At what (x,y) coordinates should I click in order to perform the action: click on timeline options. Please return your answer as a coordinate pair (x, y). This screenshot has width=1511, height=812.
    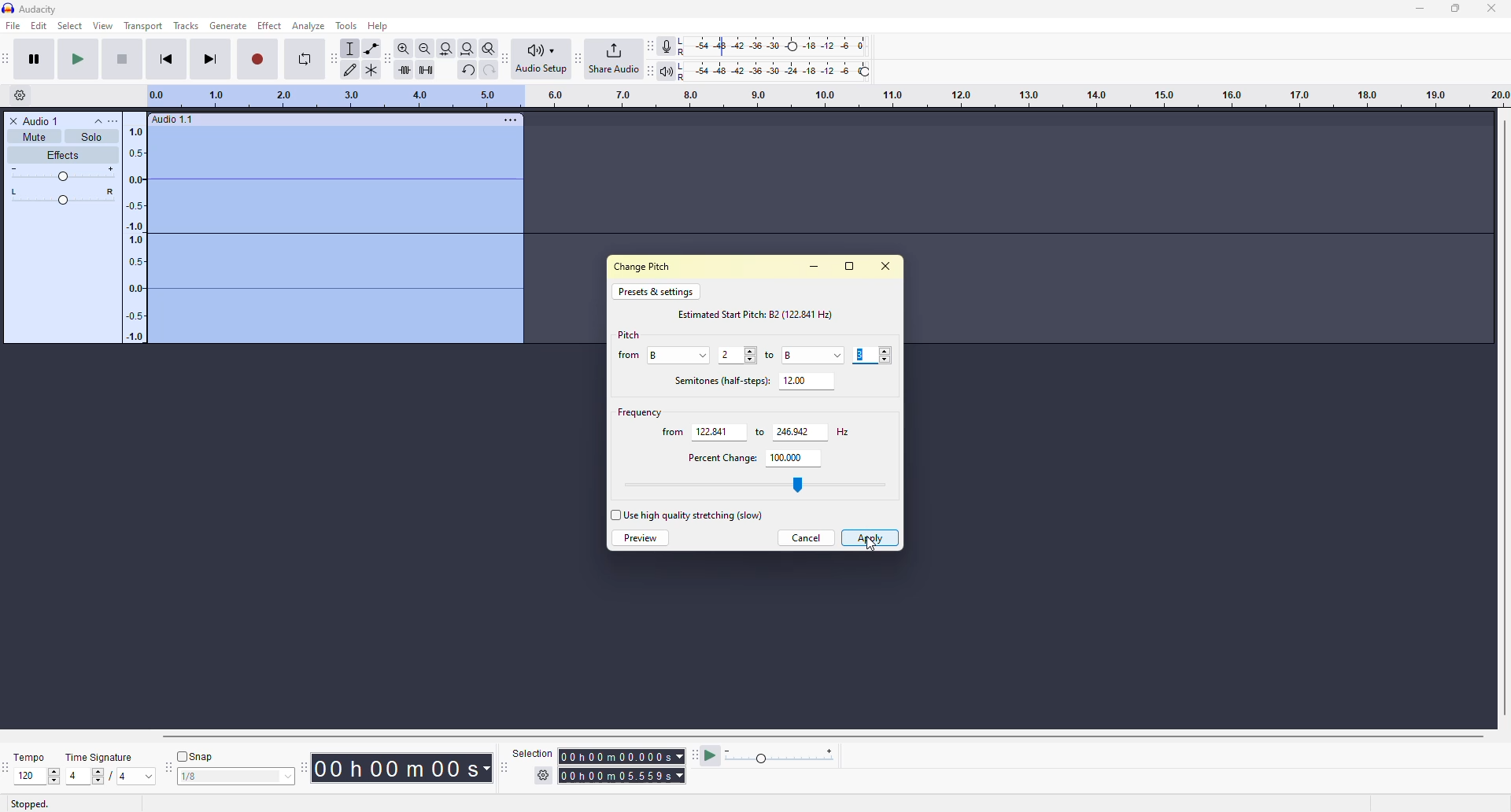
    Looking at the image, I should click on (20, 94).